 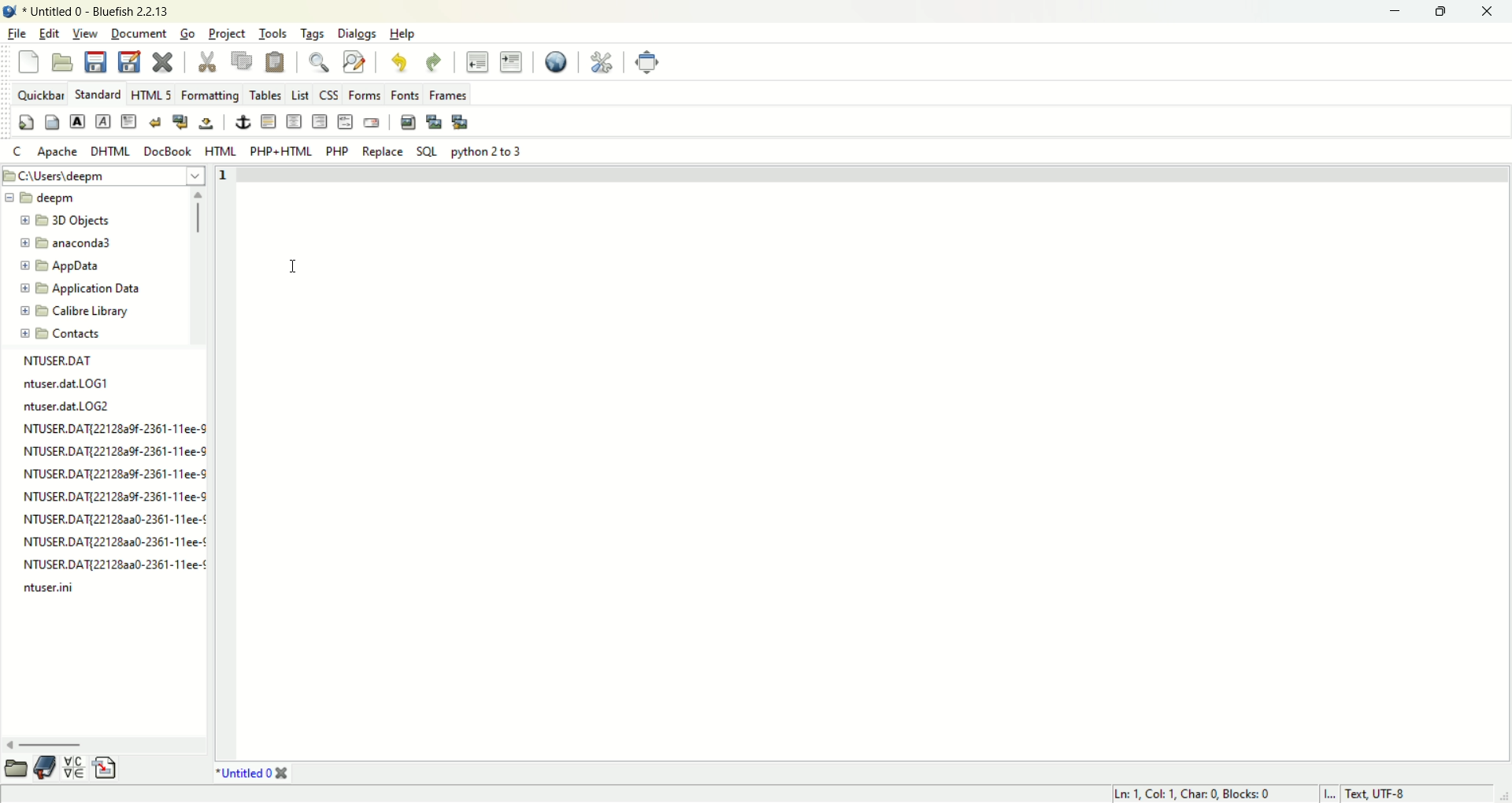 What do you see at coordinates (1416, 794) in the screenshot?
I see `character encoding` at bounding box center [1416, 794].